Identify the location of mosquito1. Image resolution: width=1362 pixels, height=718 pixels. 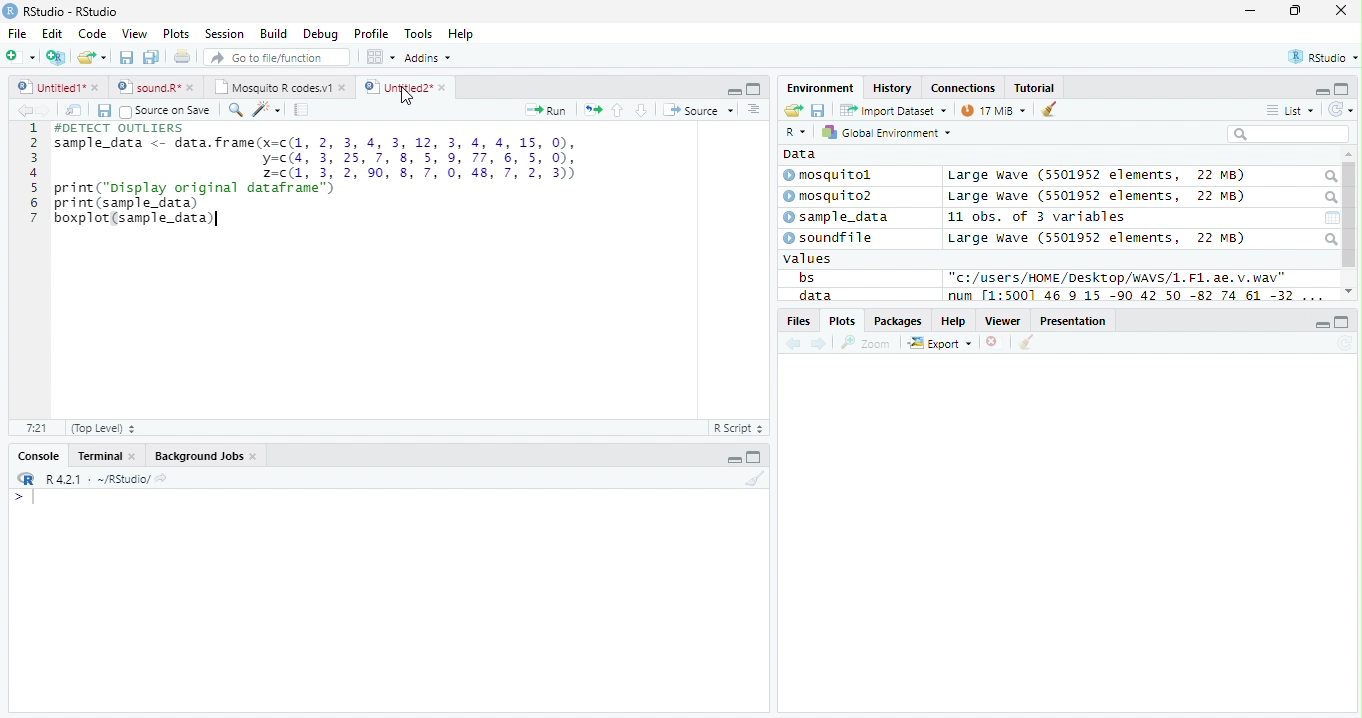
(831, 176).